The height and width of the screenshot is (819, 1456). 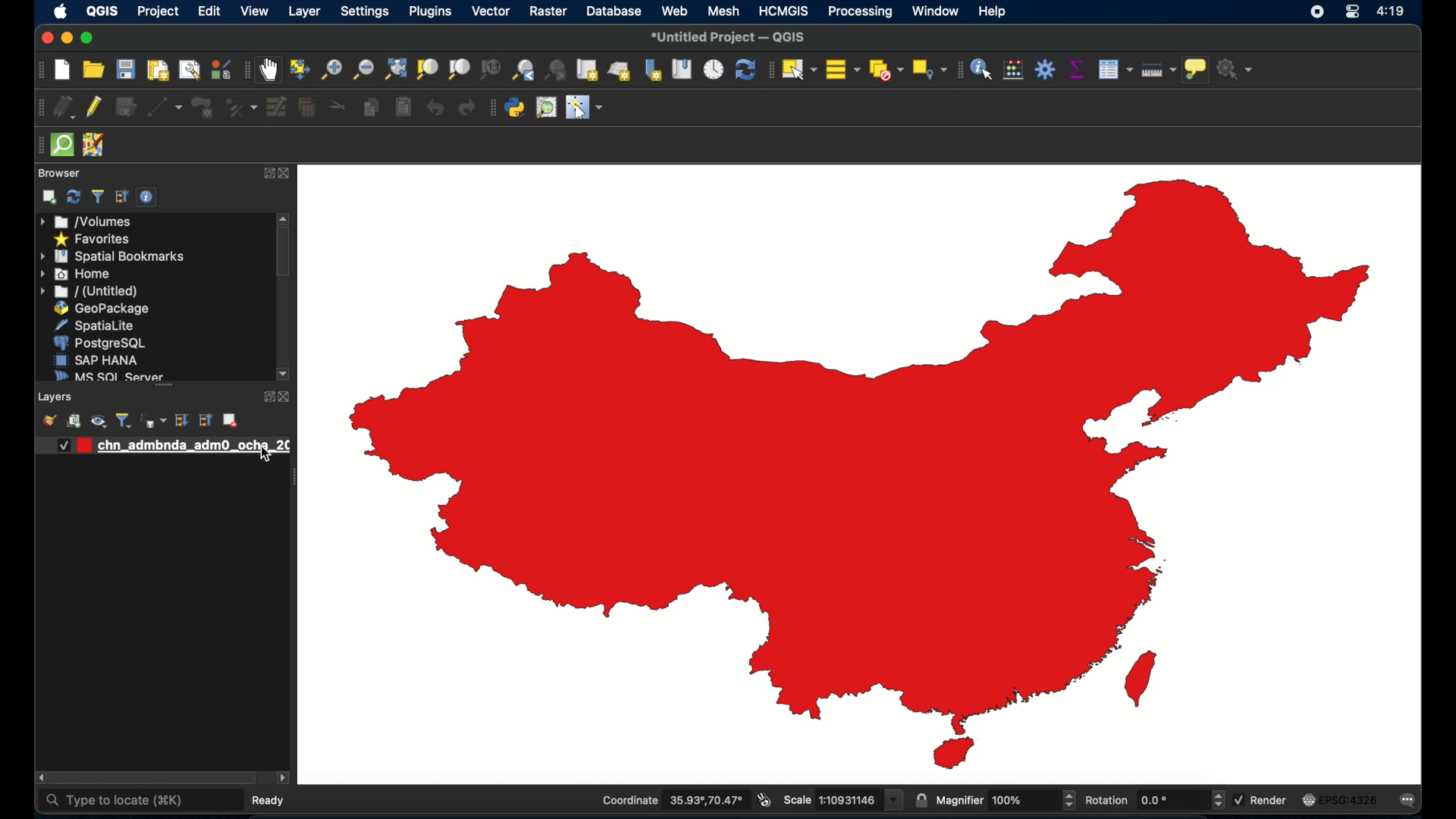 What do you see at coordinates (1012, 70) in the screenshot?
I see `open field calculator` at bounding box center [1012, 70].